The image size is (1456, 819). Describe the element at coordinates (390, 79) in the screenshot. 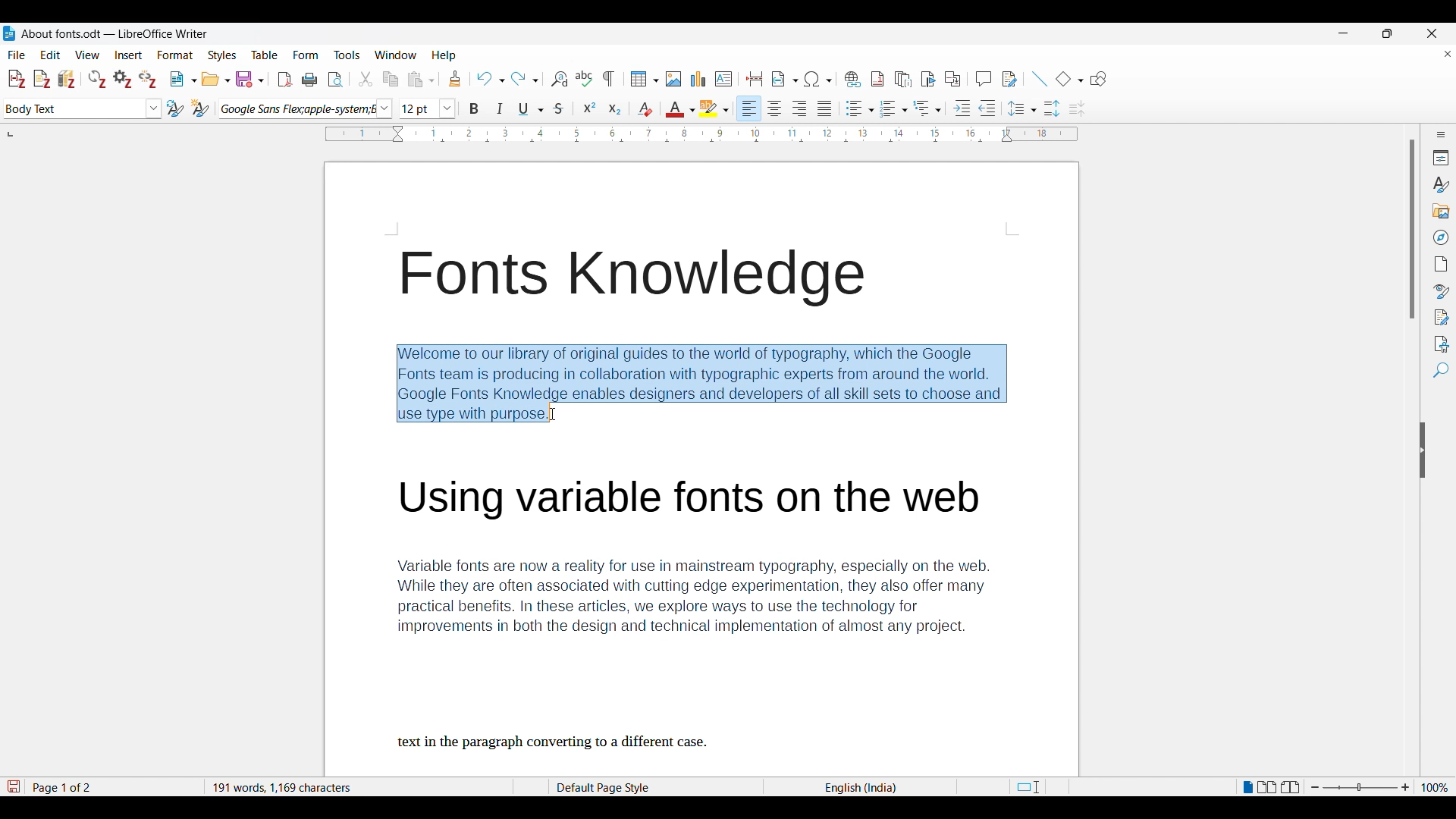

I see `Copy` at that location.